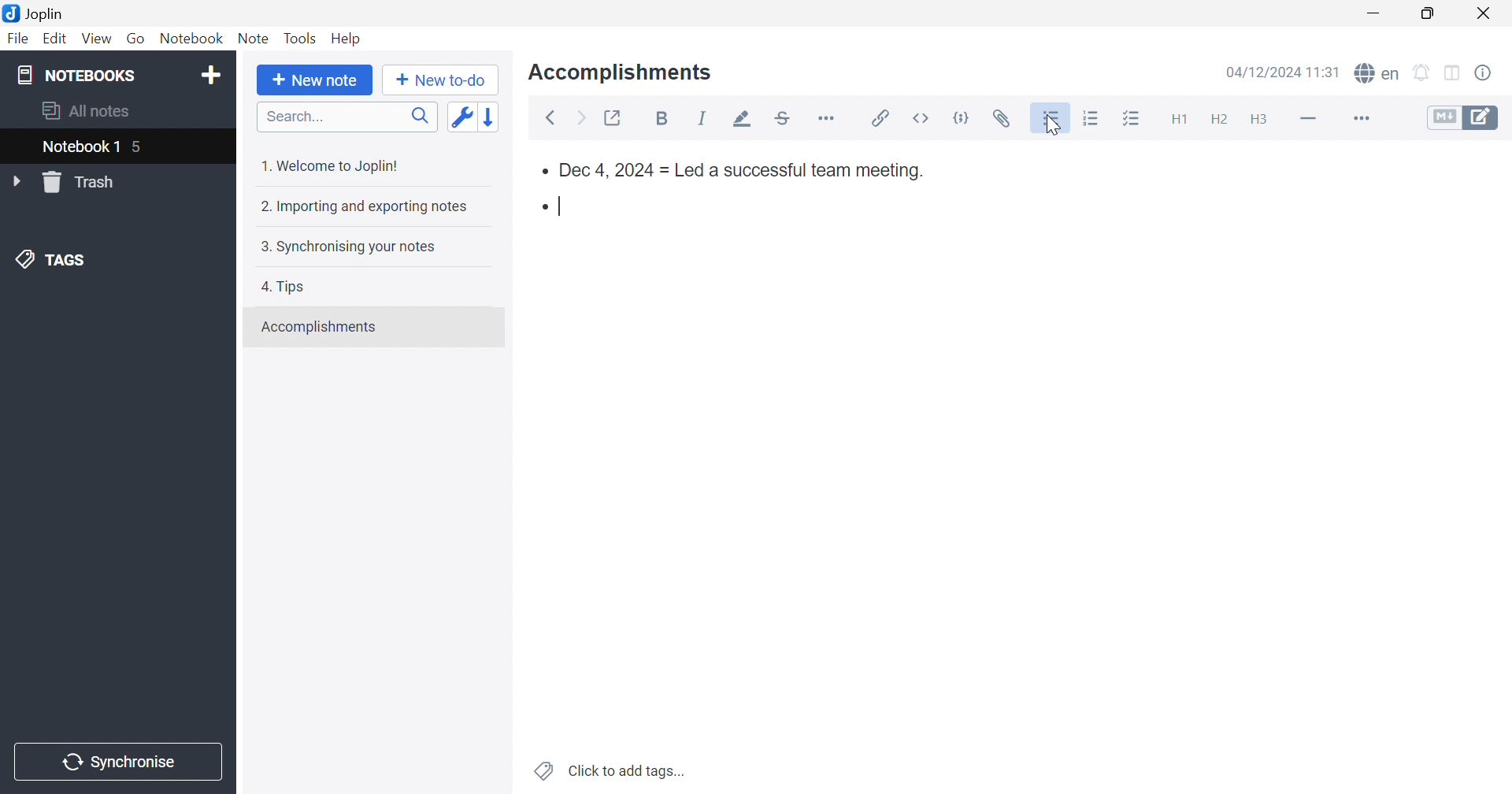 Image resolution: width=1512 pixels, height=794 pixels. What do you see at coordinates (1262, 118) in the screenshot?
I see `Heading 3` at bounding box center [1262, 118].